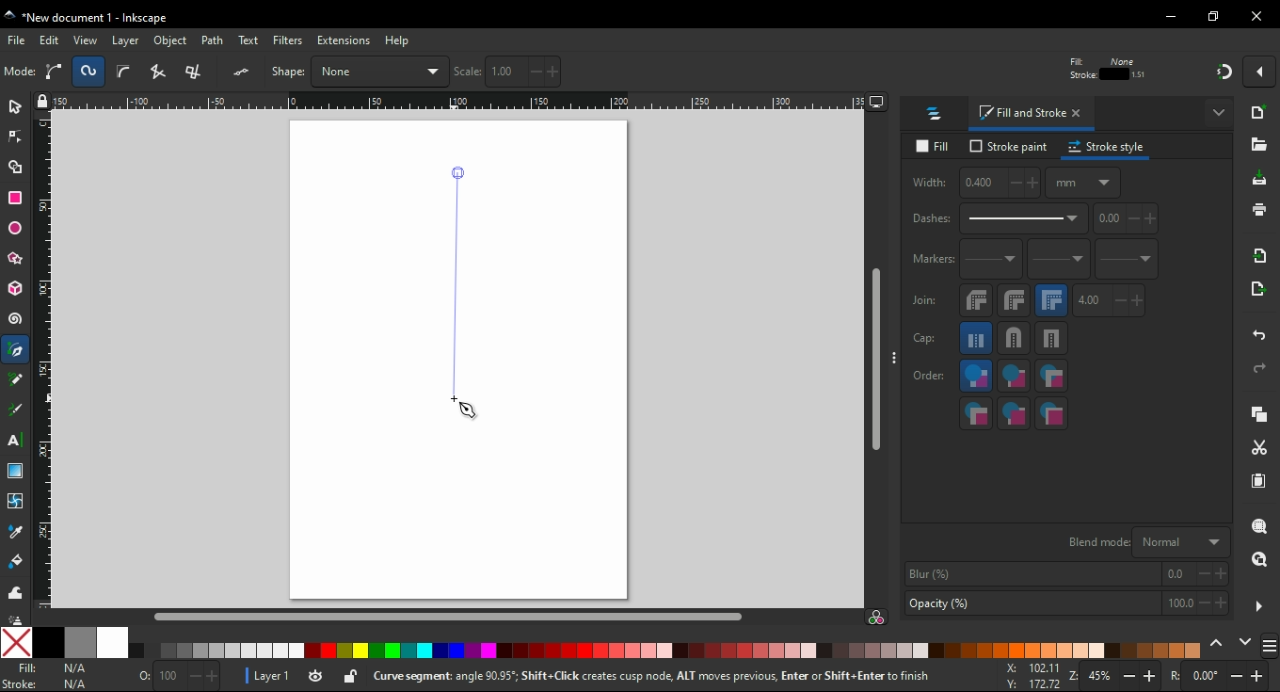  Describe the element at coordinates (1261, 112) in the screenshot. I see `new` at that location.